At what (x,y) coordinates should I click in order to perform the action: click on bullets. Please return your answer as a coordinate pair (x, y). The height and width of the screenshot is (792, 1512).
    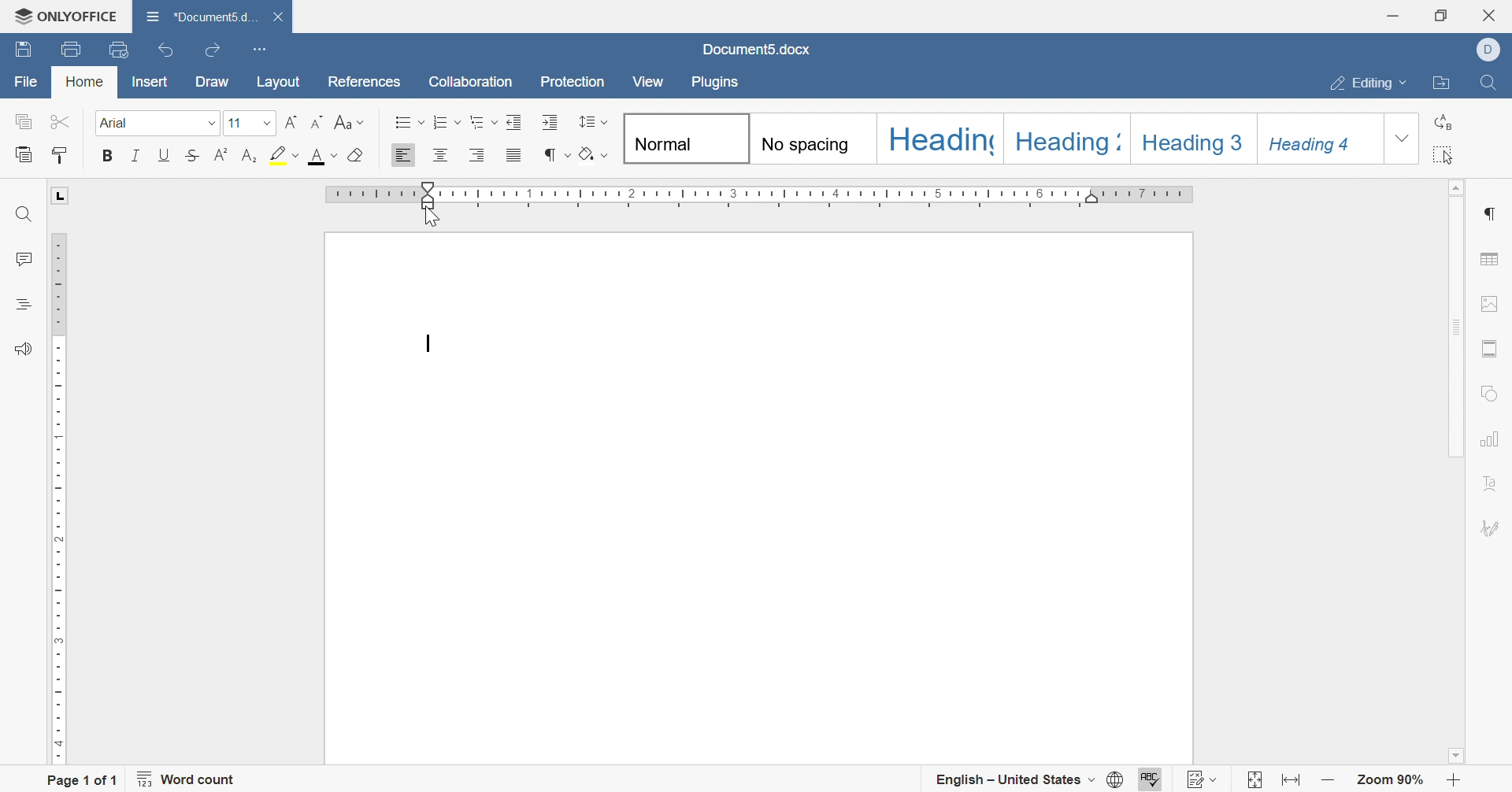
    Looking at the image, I should click on (409, 122).